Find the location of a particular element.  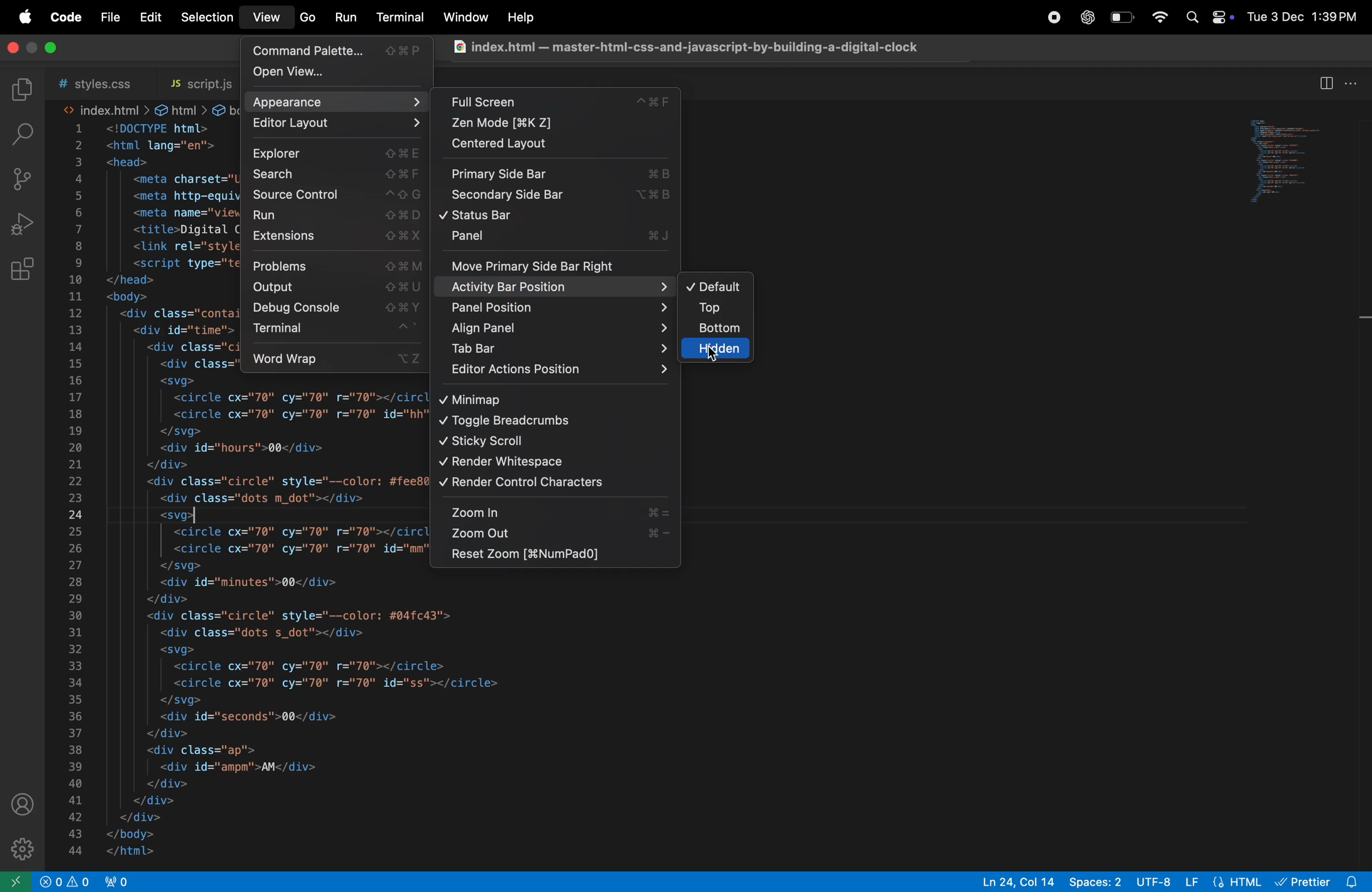

explorer is located at coordinates (337, 154).